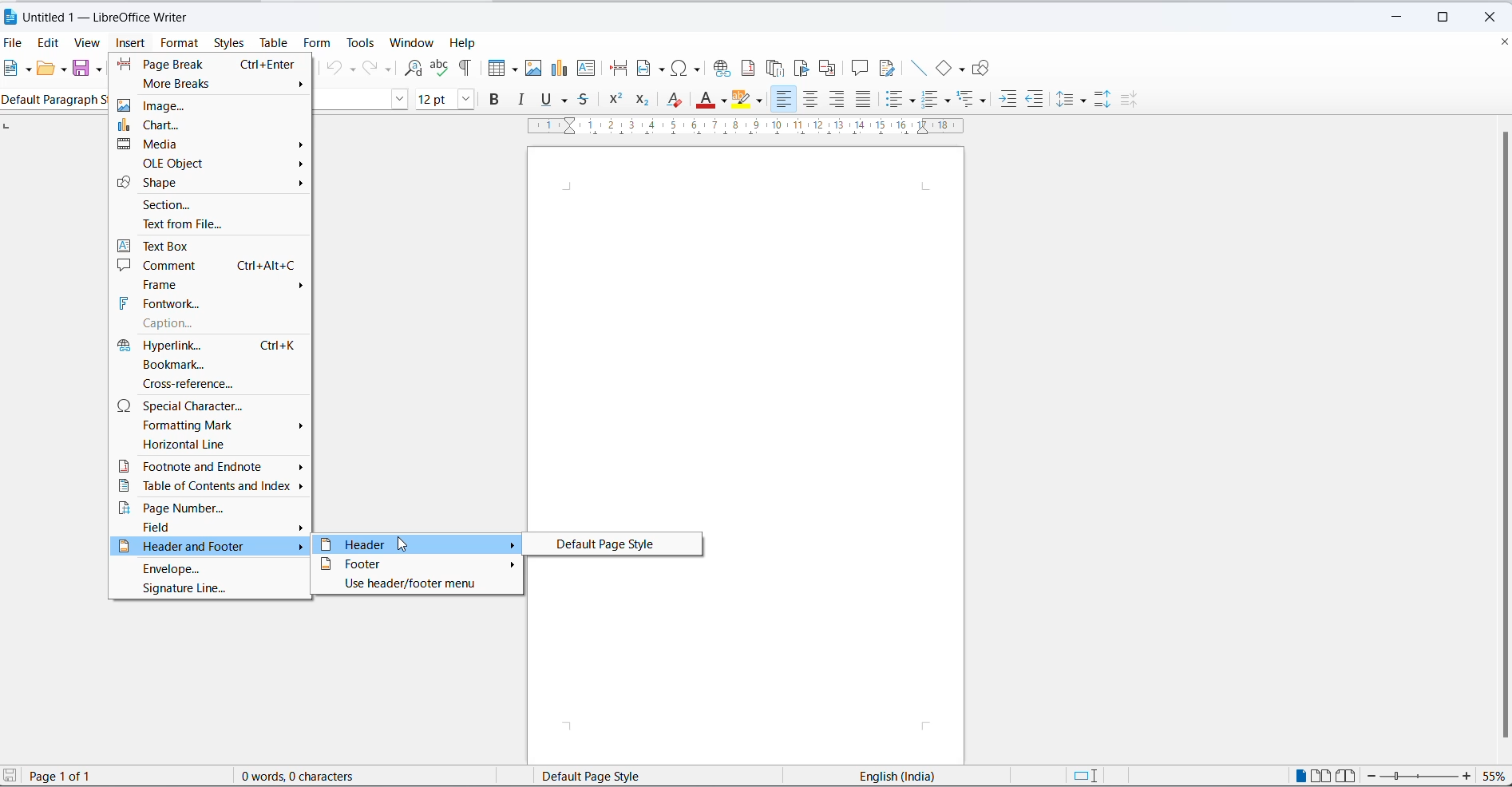 The width and height of the screenshot is (1512, 787). I want to click on insert chart, so click(560, 69).